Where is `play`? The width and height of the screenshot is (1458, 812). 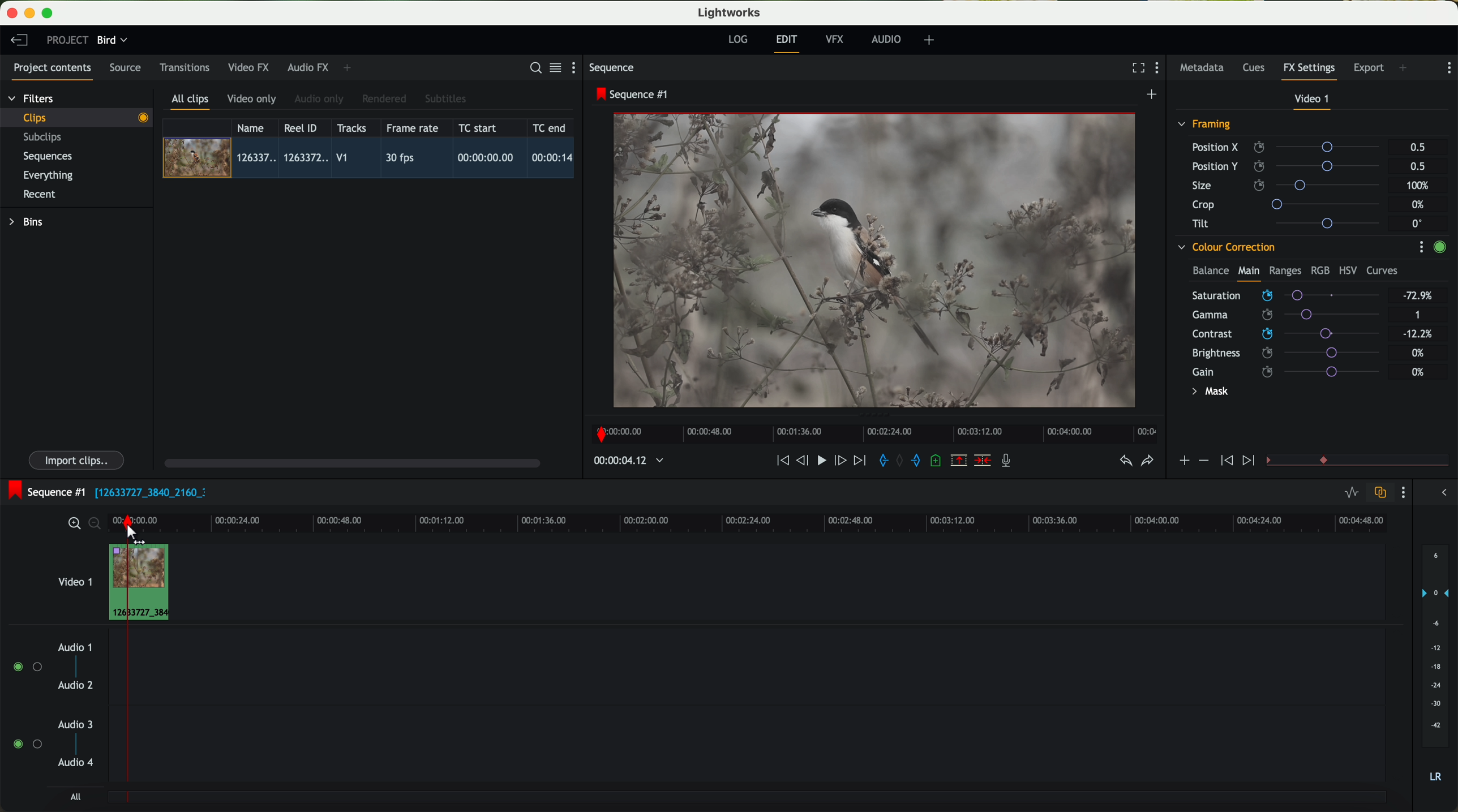 play is located at coordinates (821, 459).